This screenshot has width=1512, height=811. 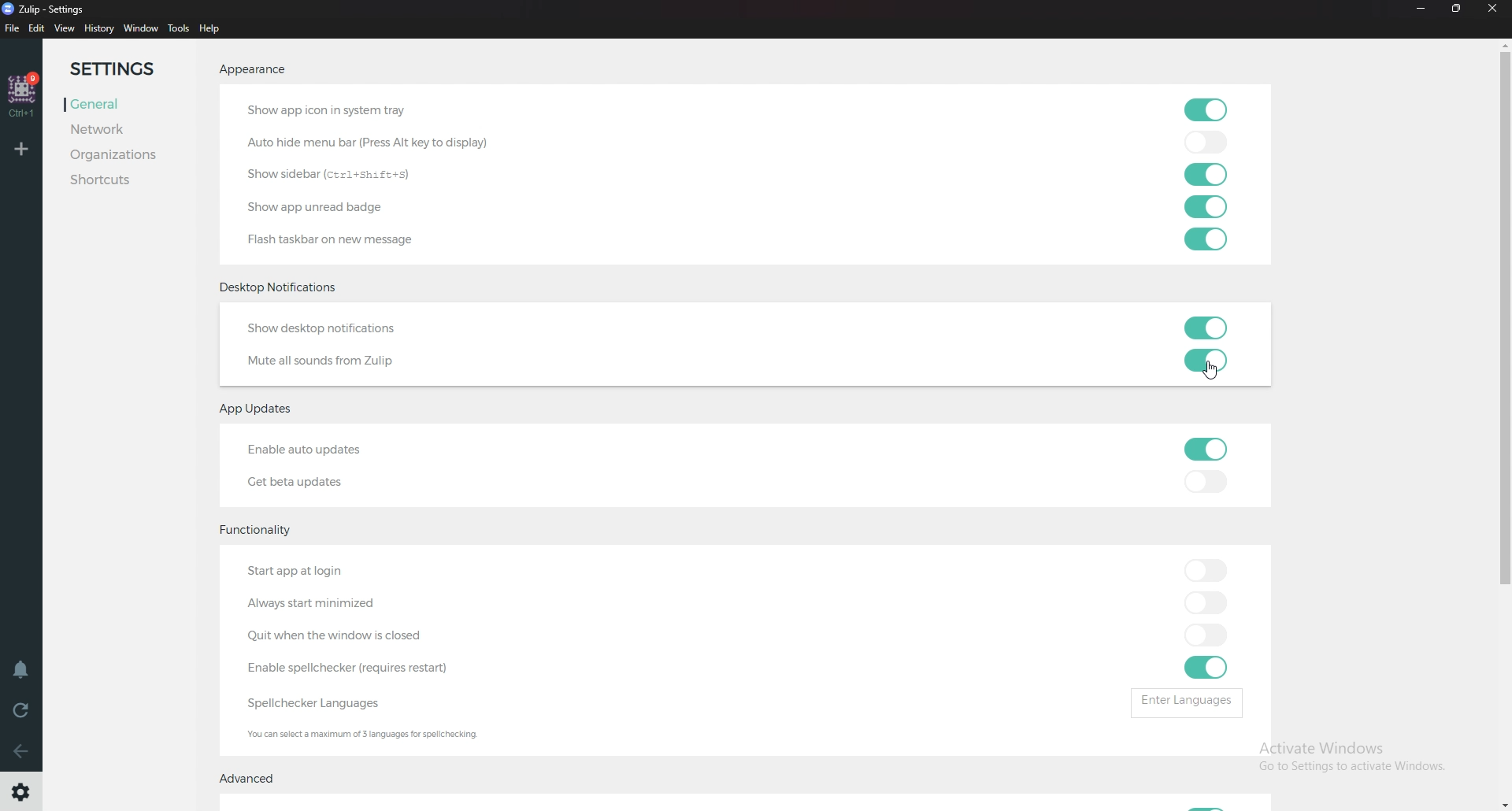 I want to click on Edit, so click(x=38, y=28).